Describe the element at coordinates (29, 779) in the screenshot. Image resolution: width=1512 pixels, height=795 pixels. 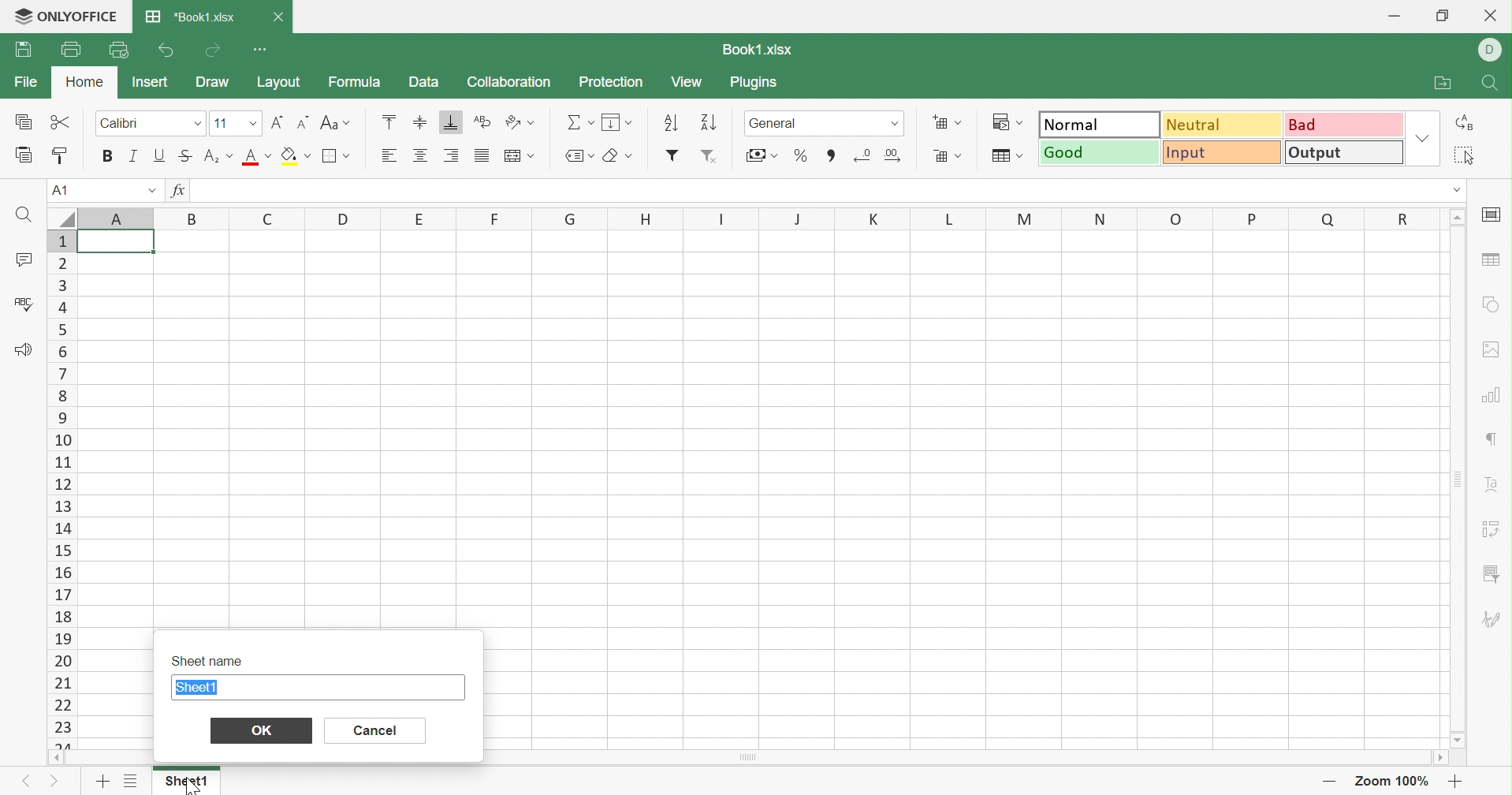
I see `Previous` at that location.